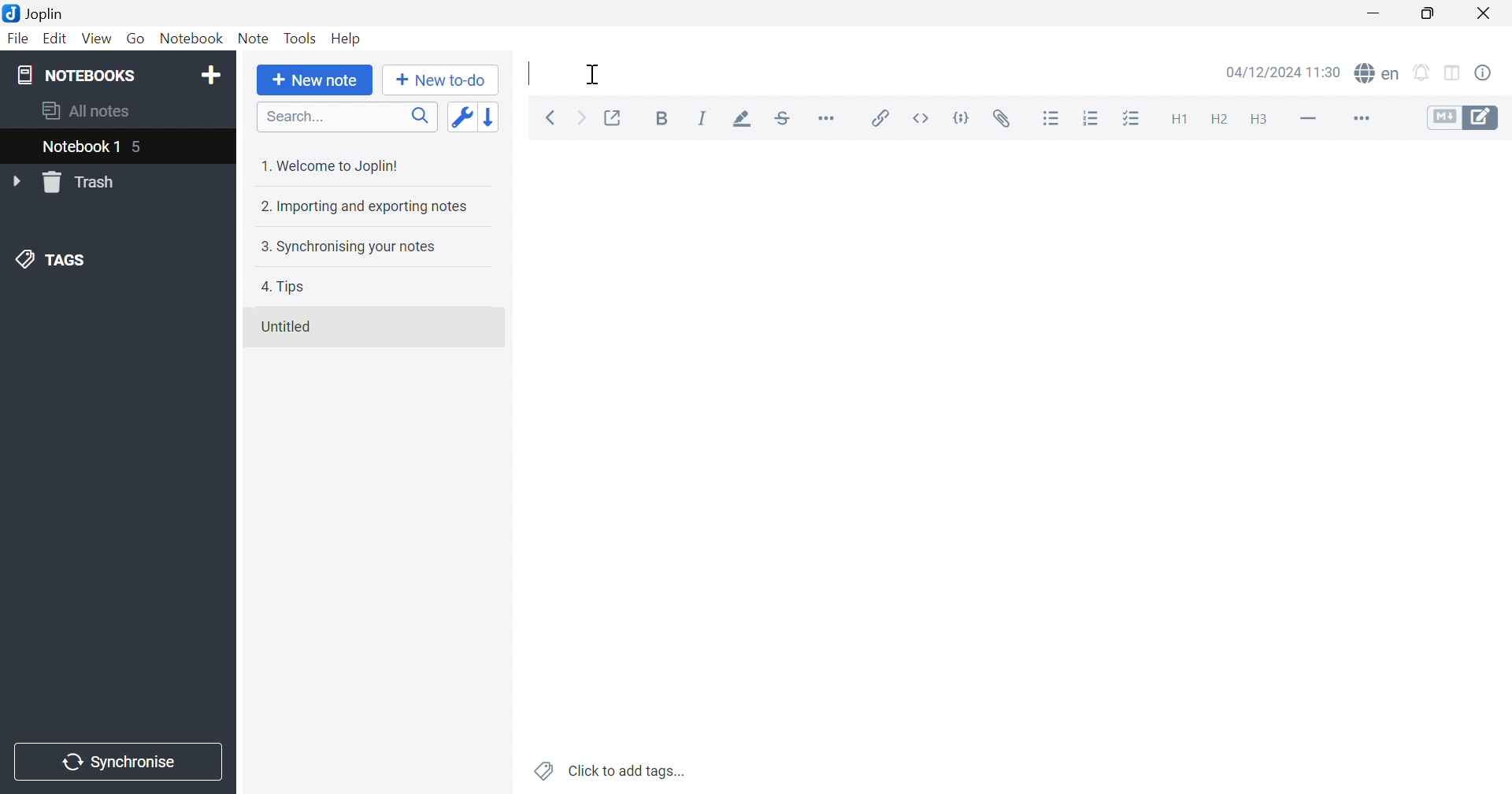 This screenshot has width=1512, height=794. What do you see at coordinates (1004, 118) in the screenshot?
I see `Attach file` at bounding box center [1004, 118].